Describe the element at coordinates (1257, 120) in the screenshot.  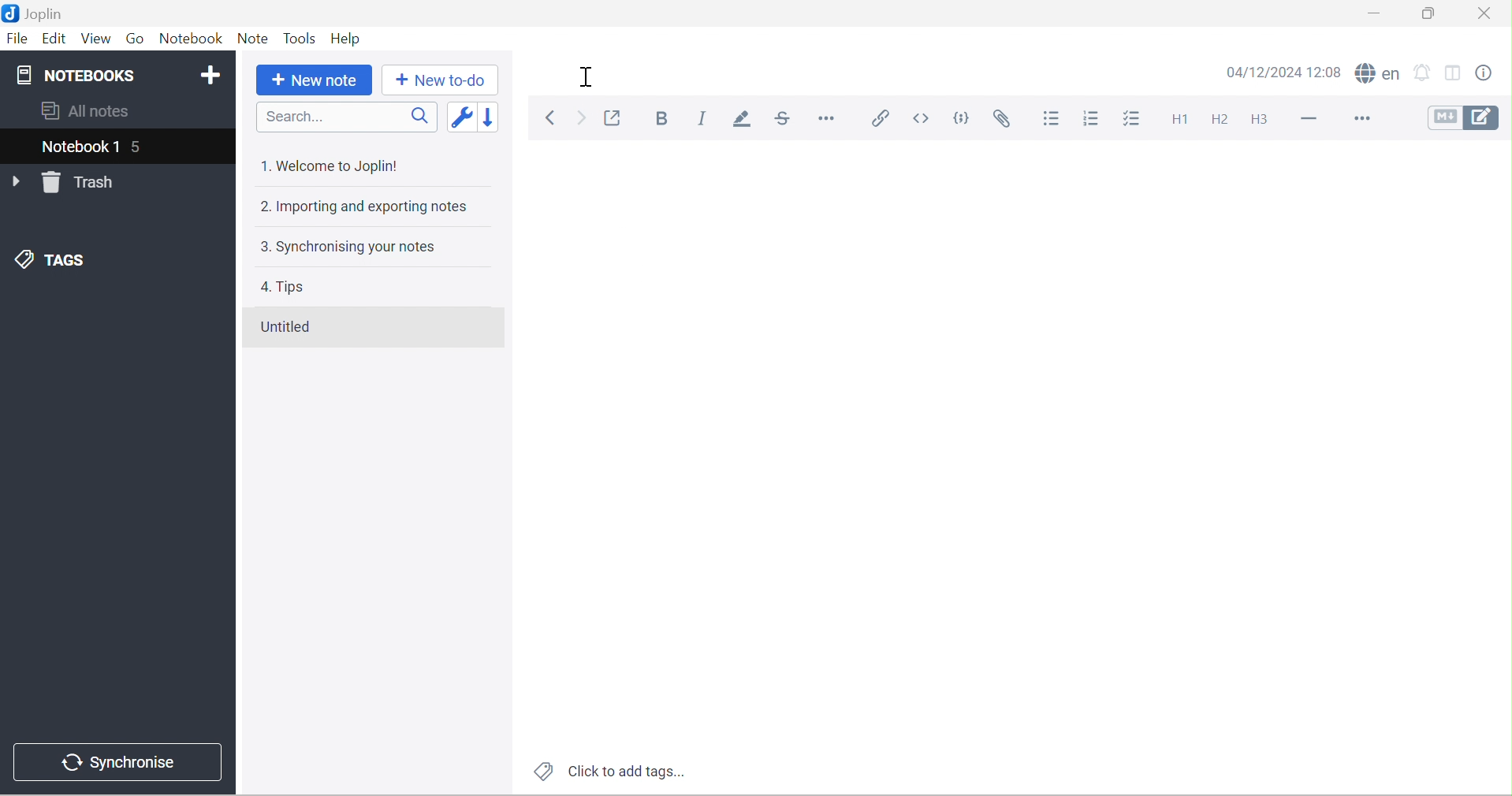
I see `Heading 3` at that location.